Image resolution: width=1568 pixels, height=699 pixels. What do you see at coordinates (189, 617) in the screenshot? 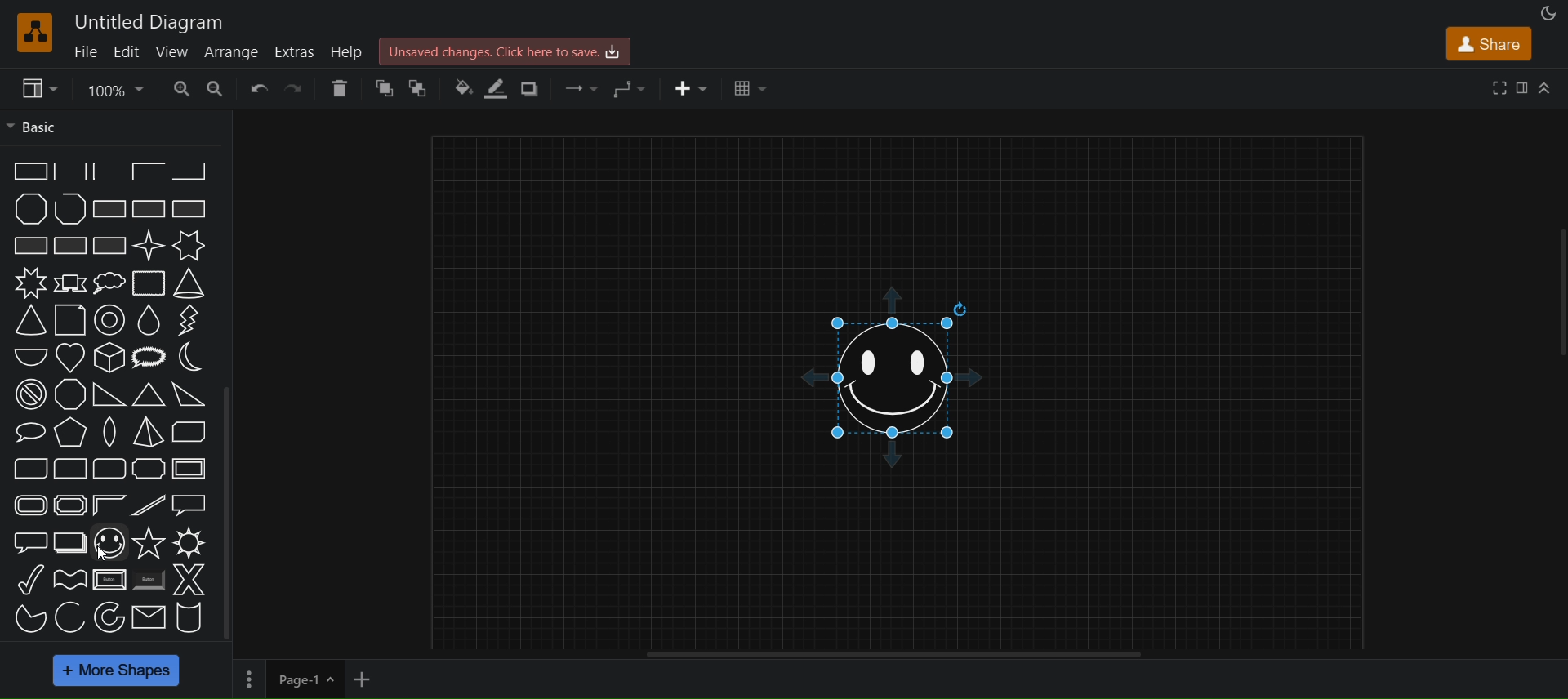
I see `cylinder stack` at bounding box center [189, 617].